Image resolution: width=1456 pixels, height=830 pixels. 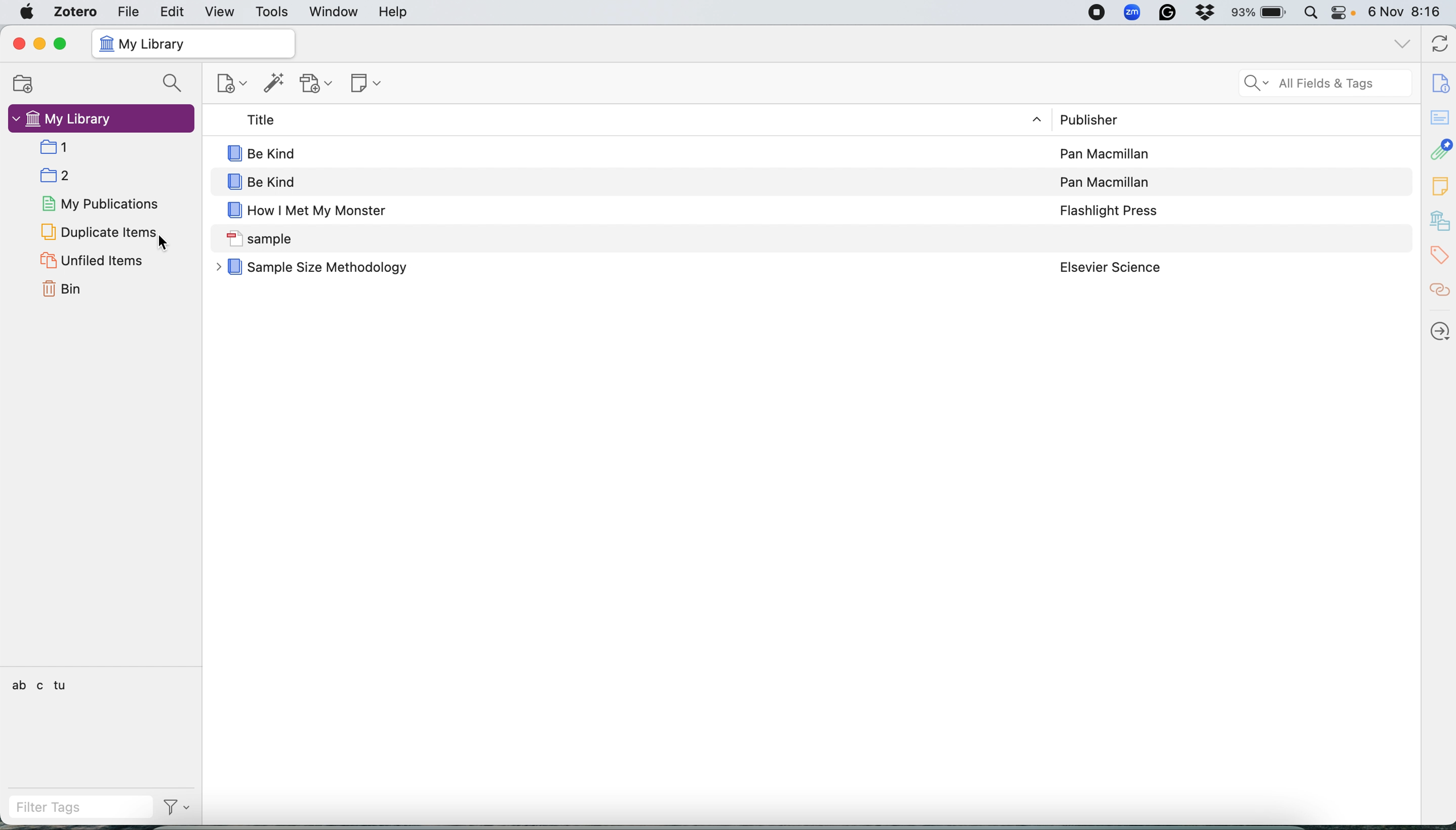 What do you see at coordinates (40, 684) in the screenshot?
I see `tags` at bounding box center [40, 684].